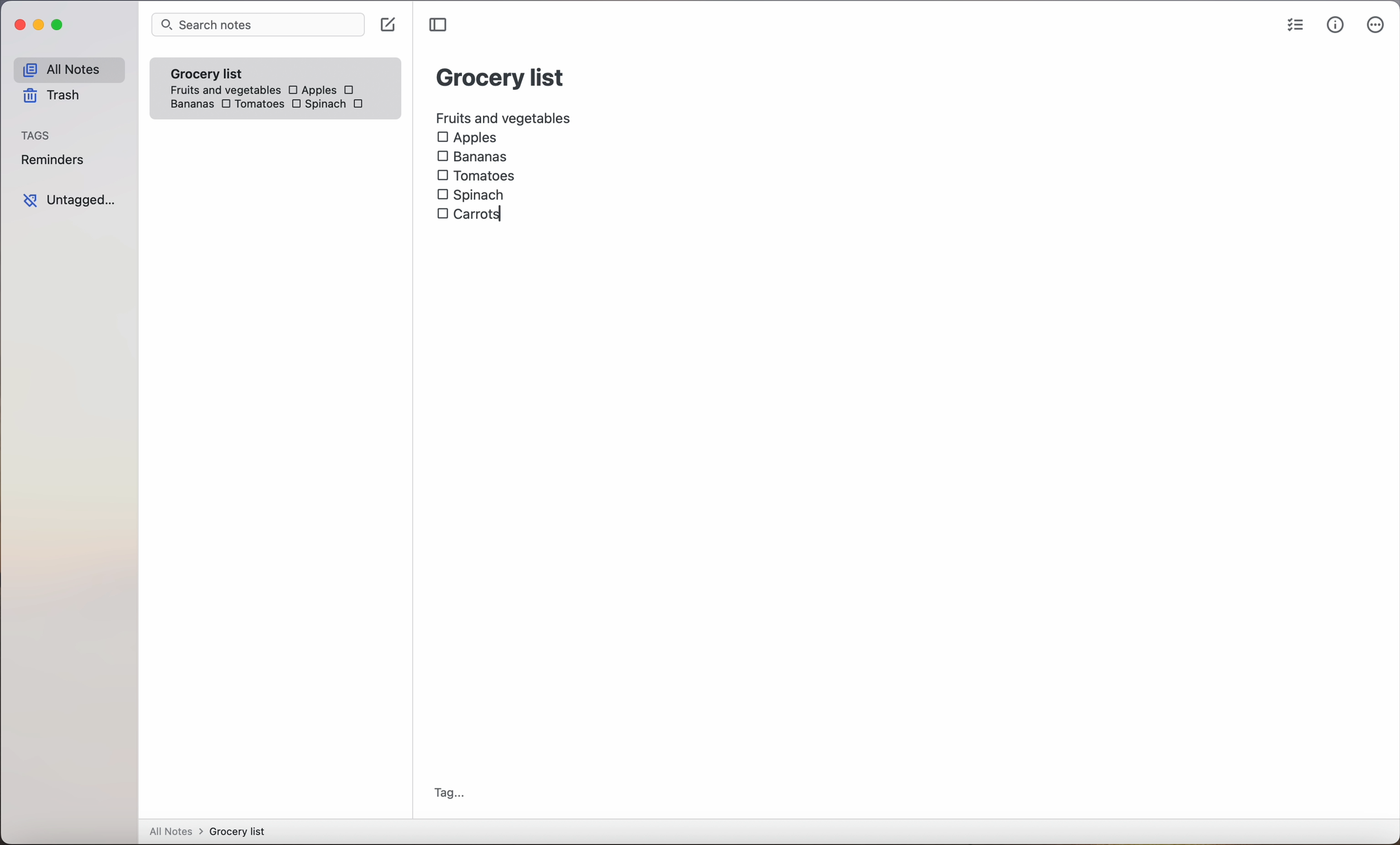 Image resolution: width=1400 pixels, height=845 pixels. Describe the element at coordinates (251, 105) in the screenshot. I see `Tomatoes checkbox` at that location.